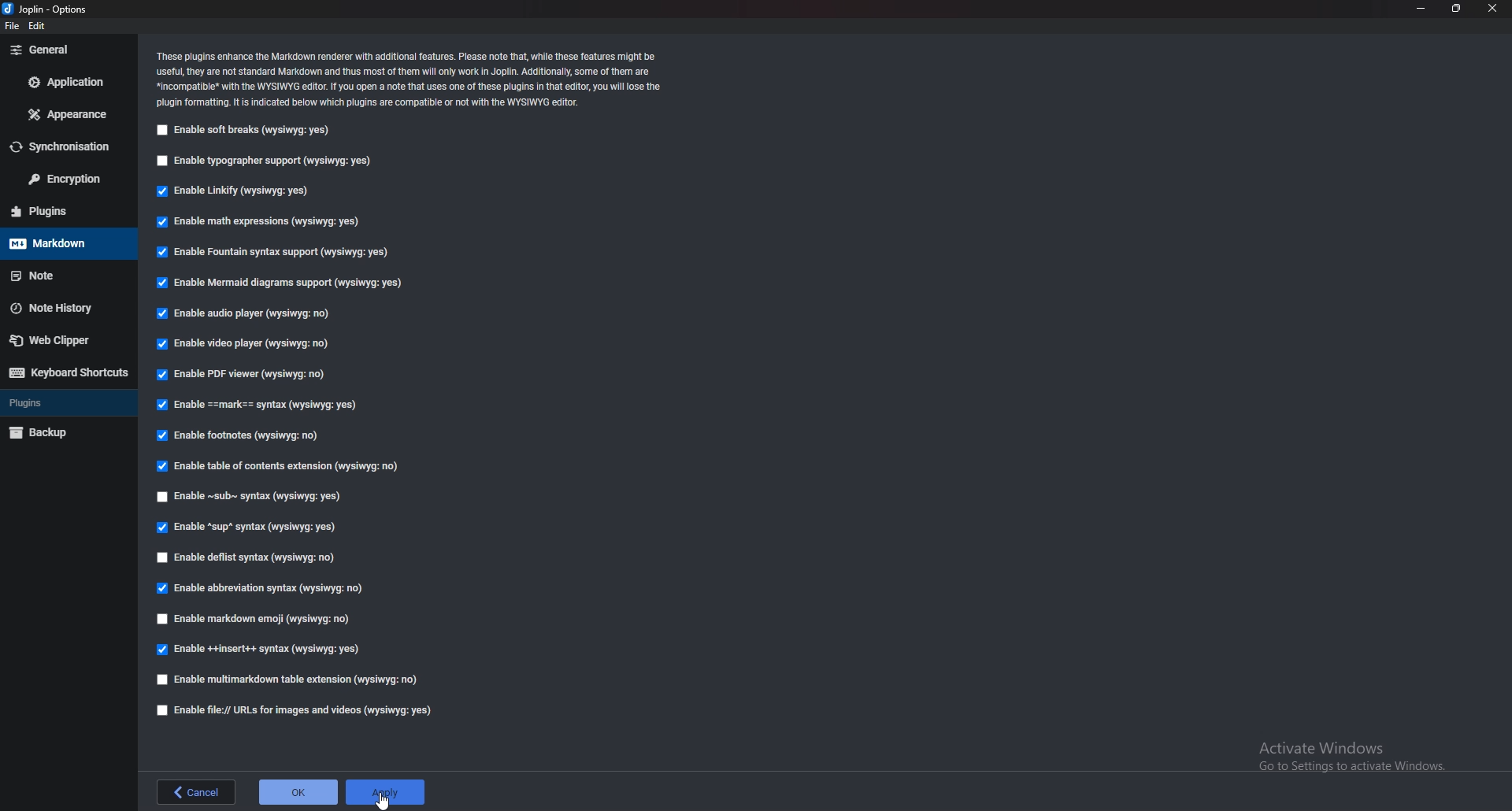 This screenshot has height=811, width=1512. I want to click on enable insert syntax, so click(260, 650).